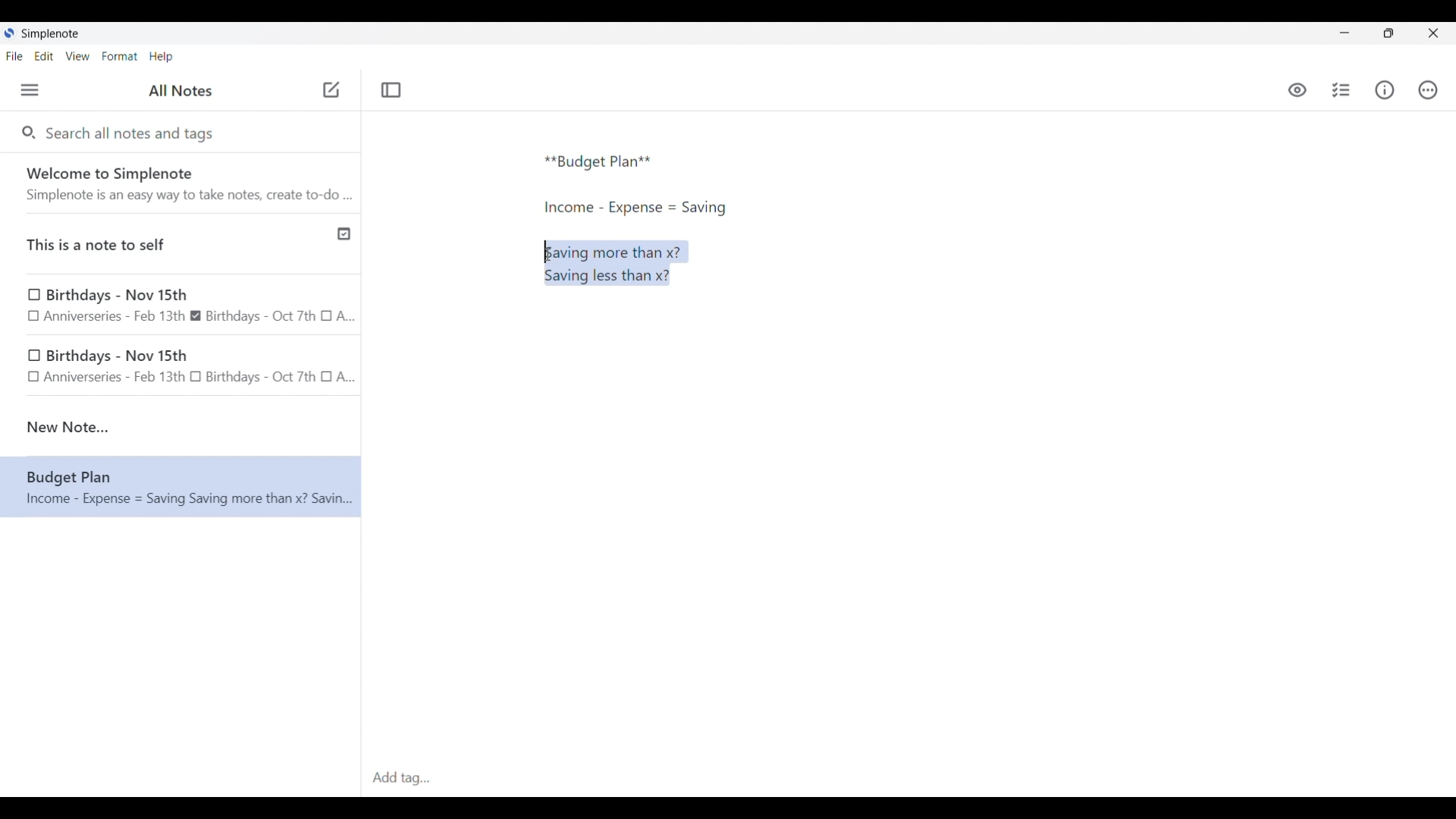  Describe the element at coordinates (1427, 90) in the screenshot. I see `Actions` at that location.